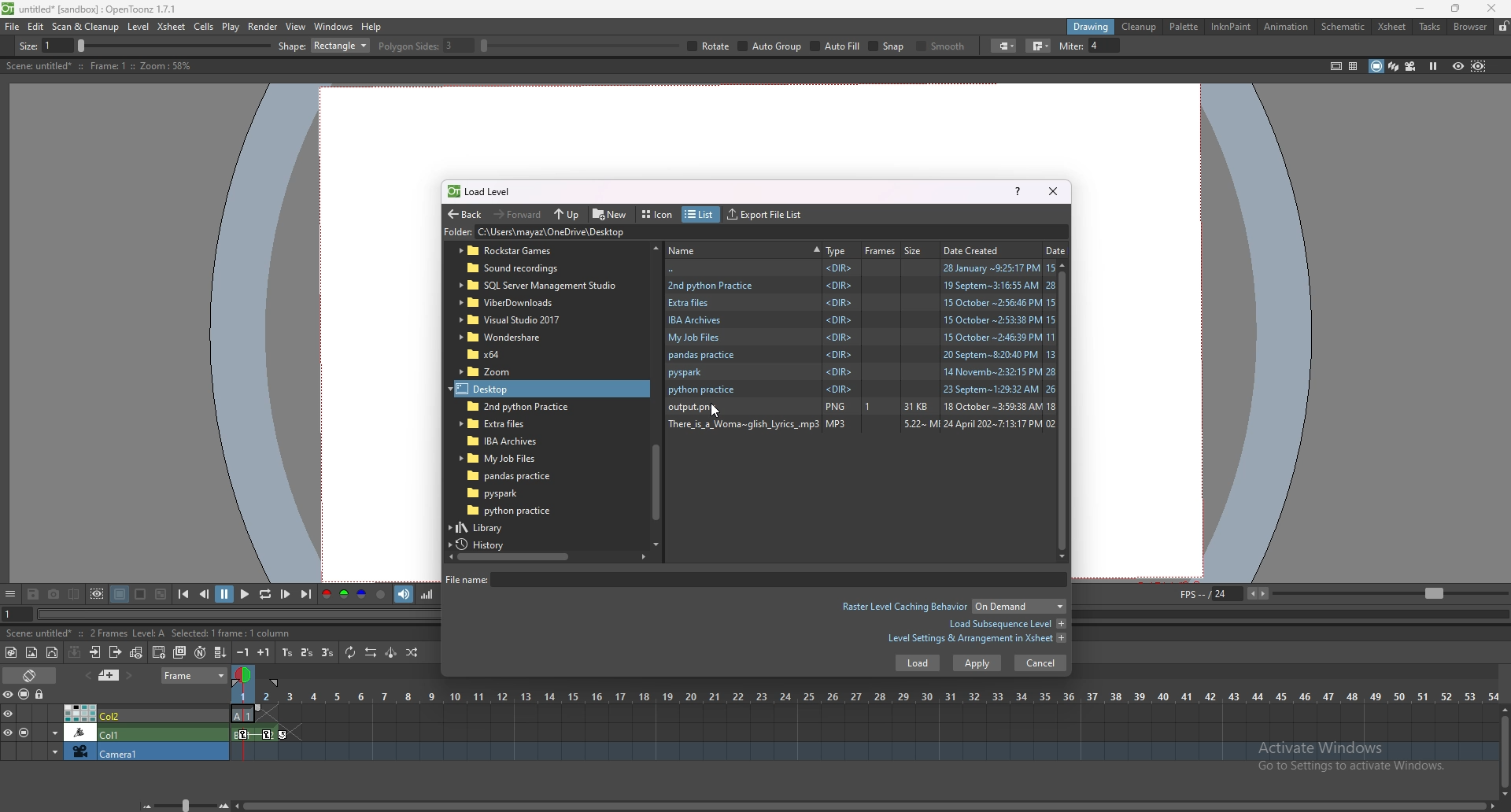 The height and width of the screenshot is (812, 1511). I want to click on view, so click(296, 26).